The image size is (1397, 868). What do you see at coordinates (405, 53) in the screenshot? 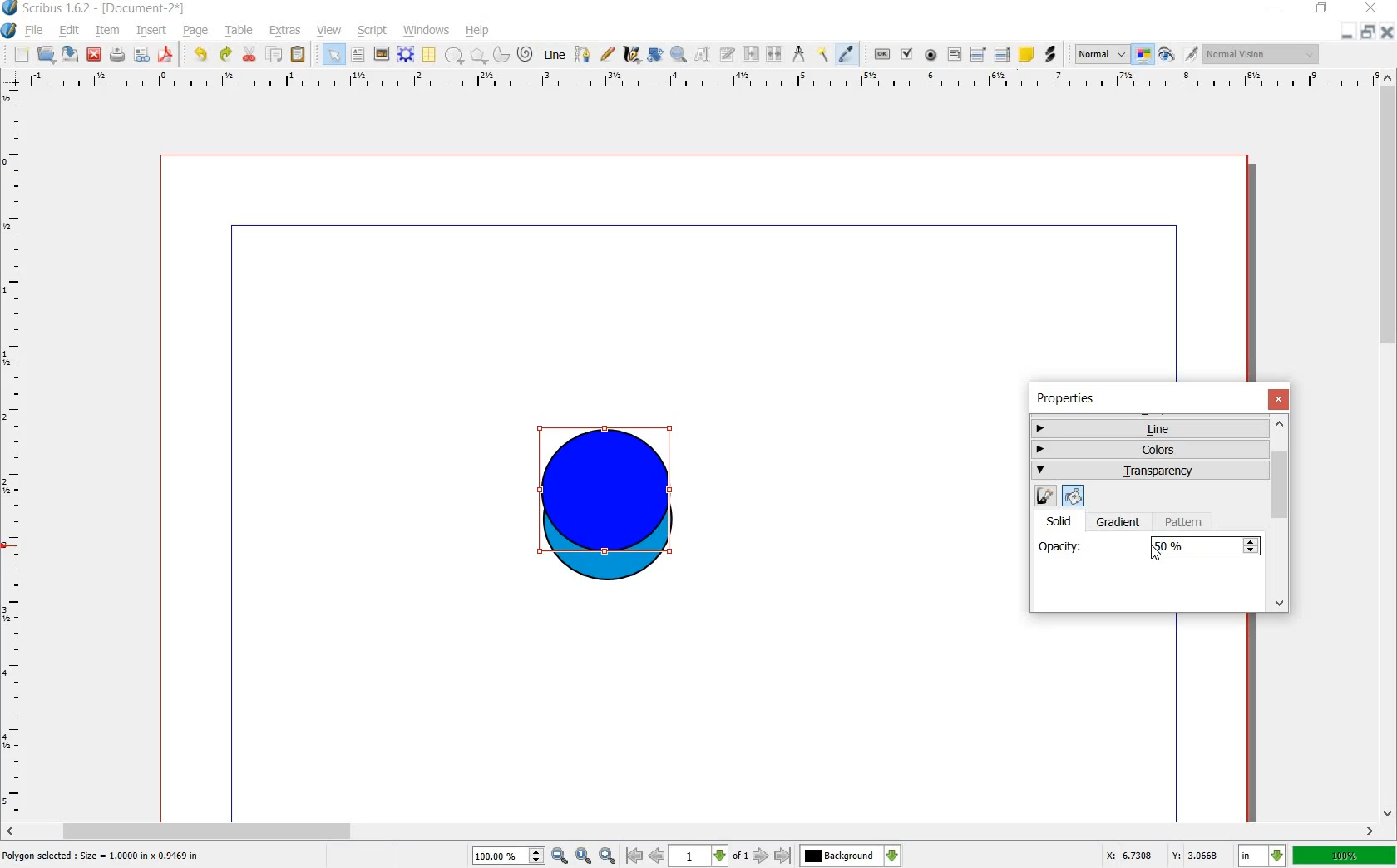
I see `render frame` at bounding box center [405, 53].